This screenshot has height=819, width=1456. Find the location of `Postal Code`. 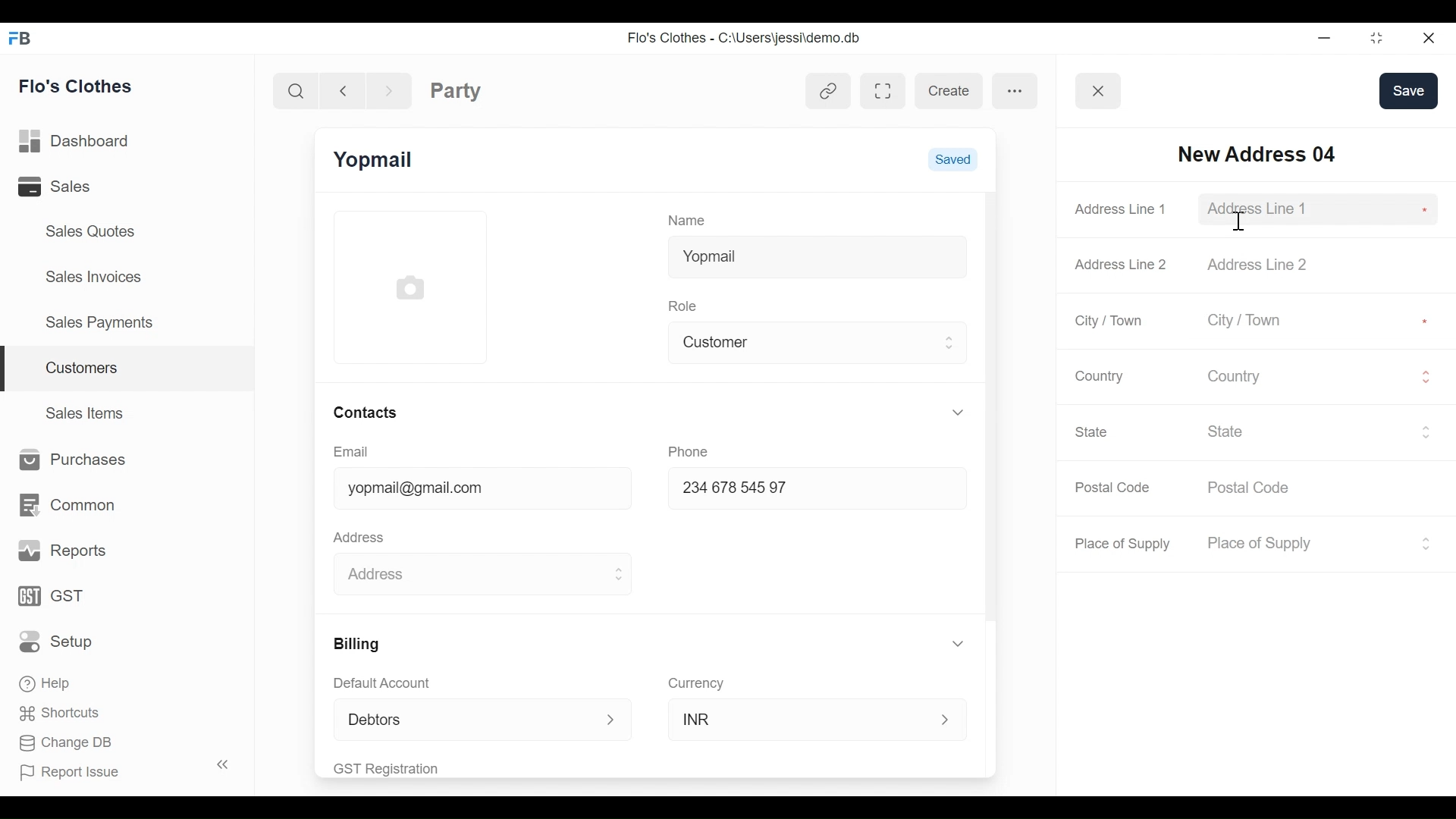

Postal Code is located at coordinates (1258, 488).